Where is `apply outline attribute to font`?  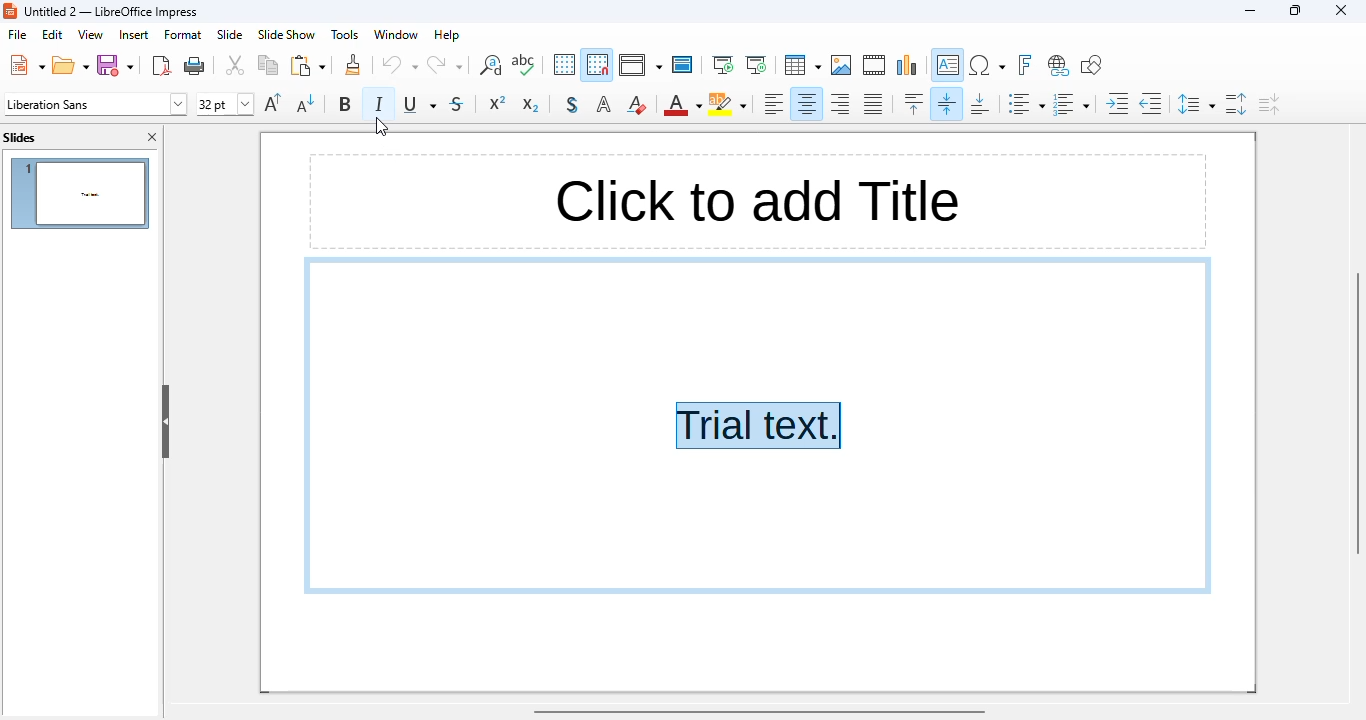 apply outline attribute to font is located at coordinates (604, 104).